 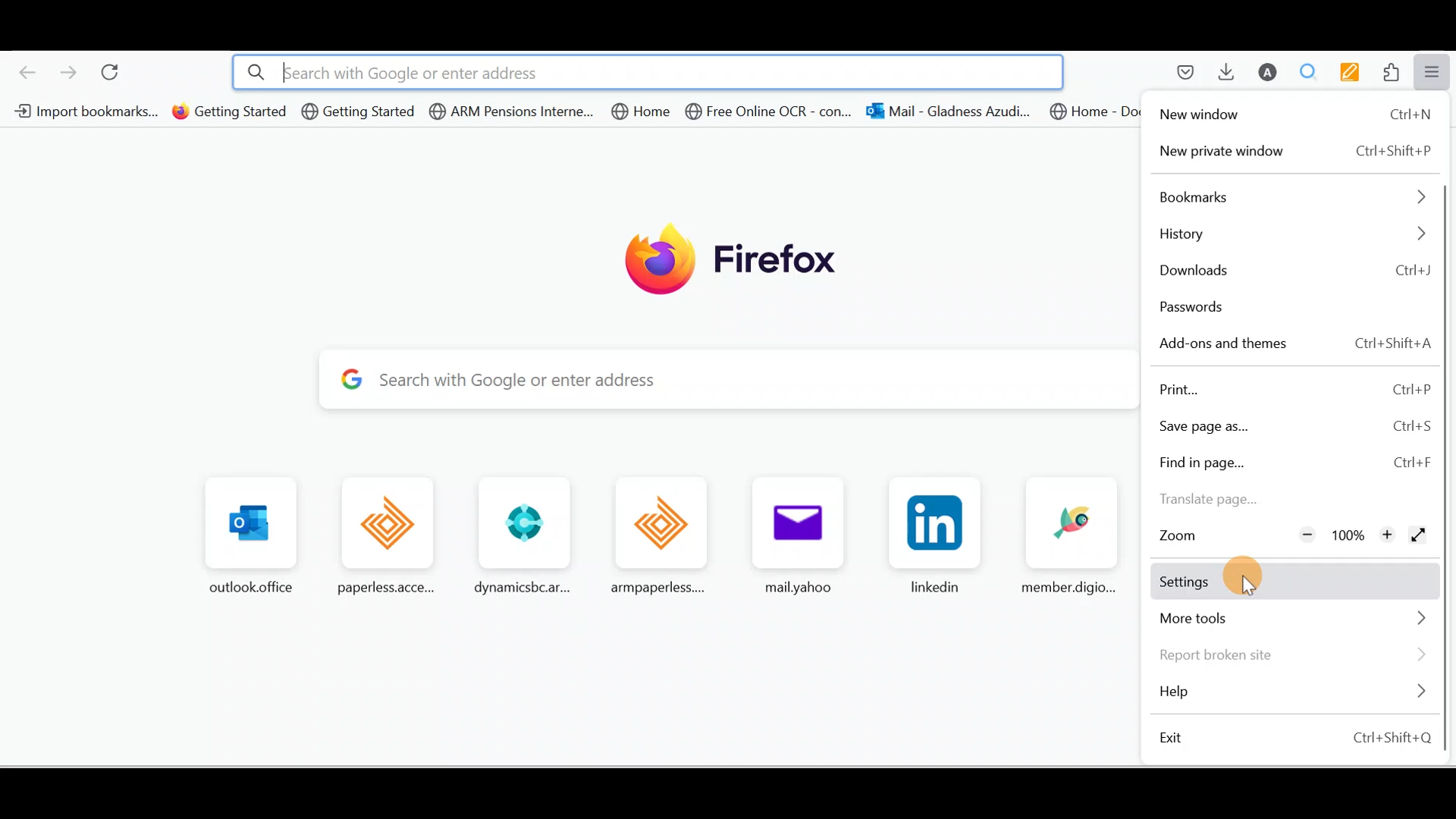 What do you see at coordinates (1212, 306) in the screenshot?
I see `Passwords` at bounding box center [1212, 306].